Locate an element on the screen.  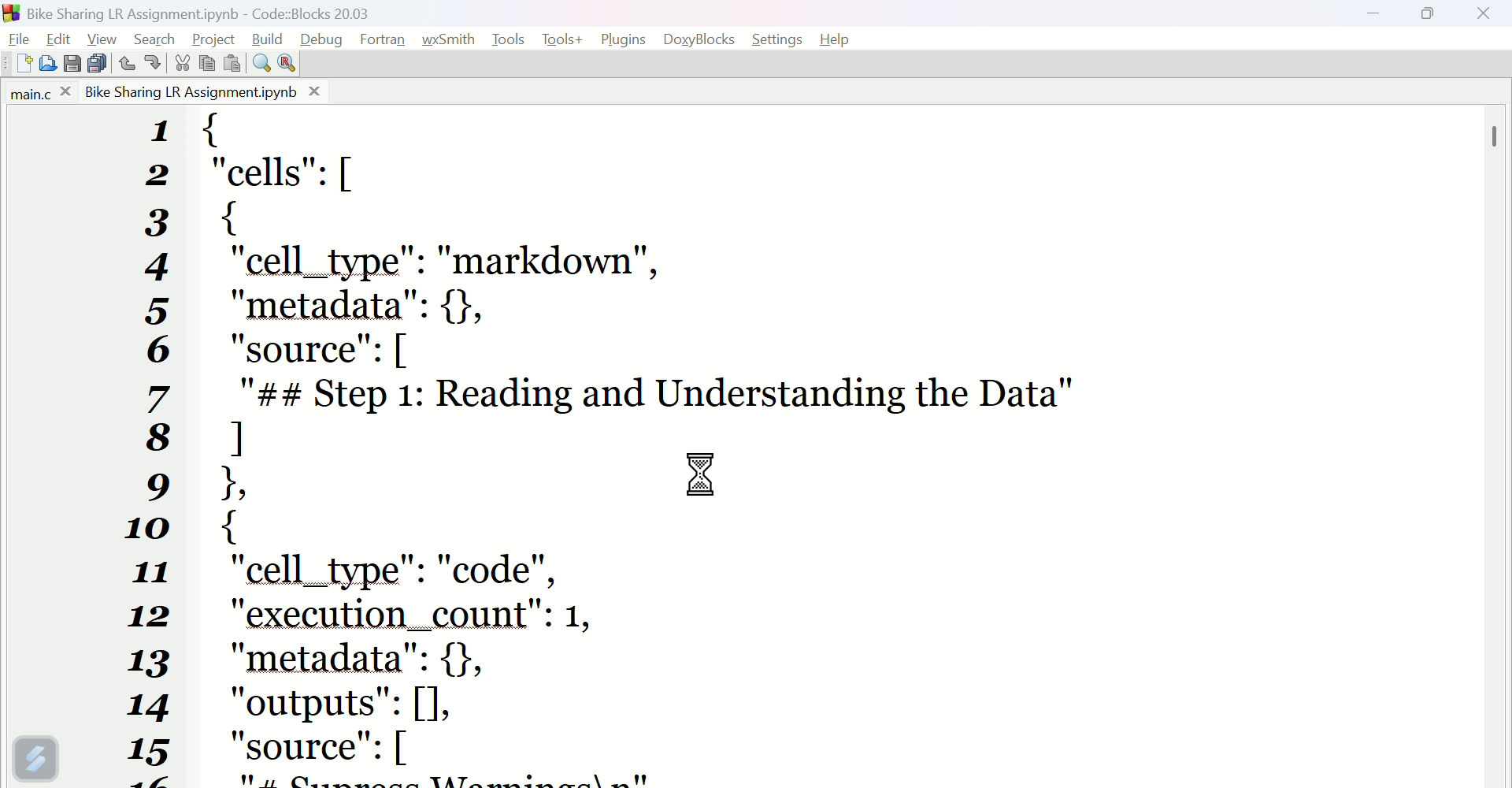
Paste is located at coordinates (232, 62).